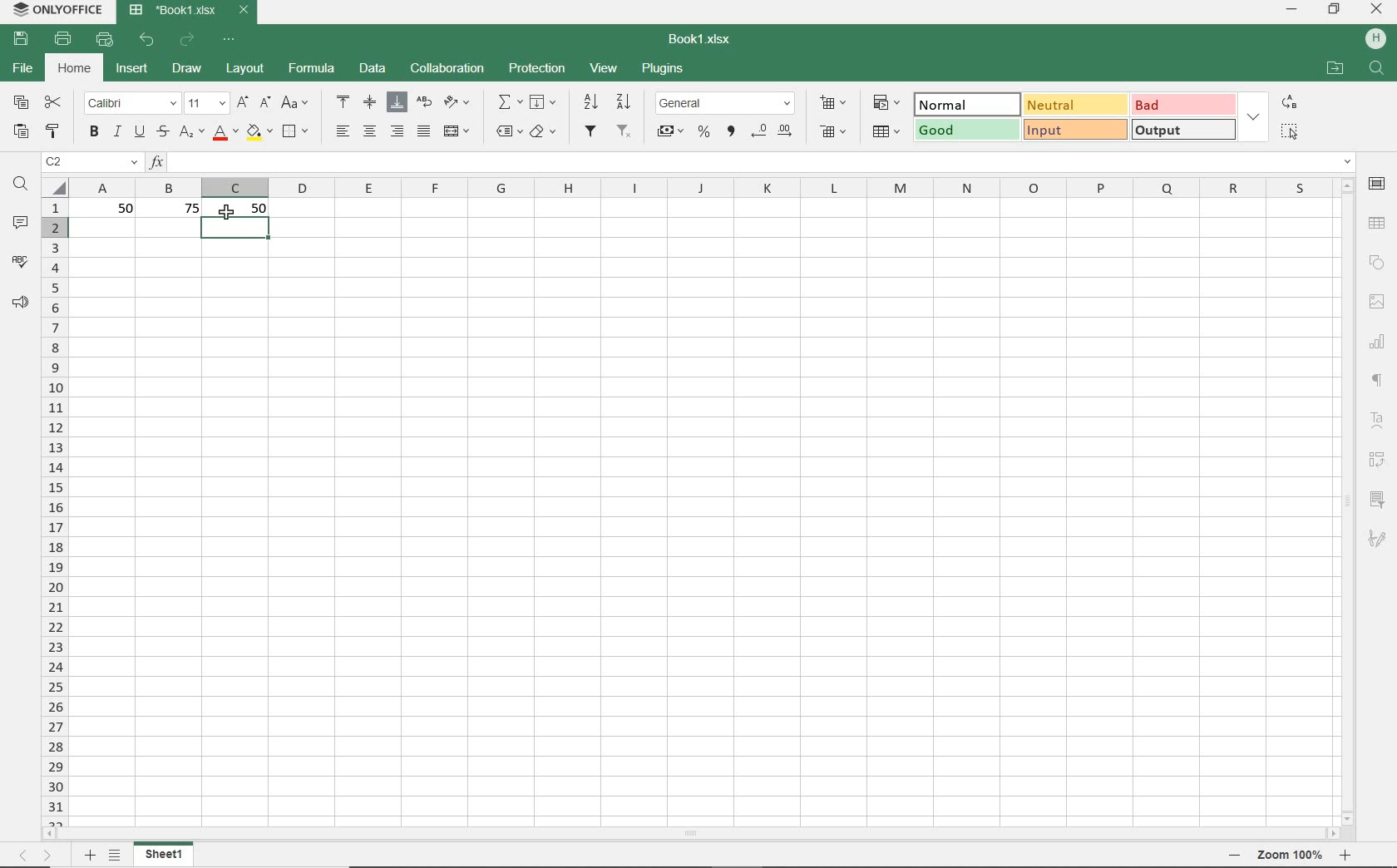 The height and width of the screenshot is (868, 1397). I want to click on signature, so click(1381, 539).